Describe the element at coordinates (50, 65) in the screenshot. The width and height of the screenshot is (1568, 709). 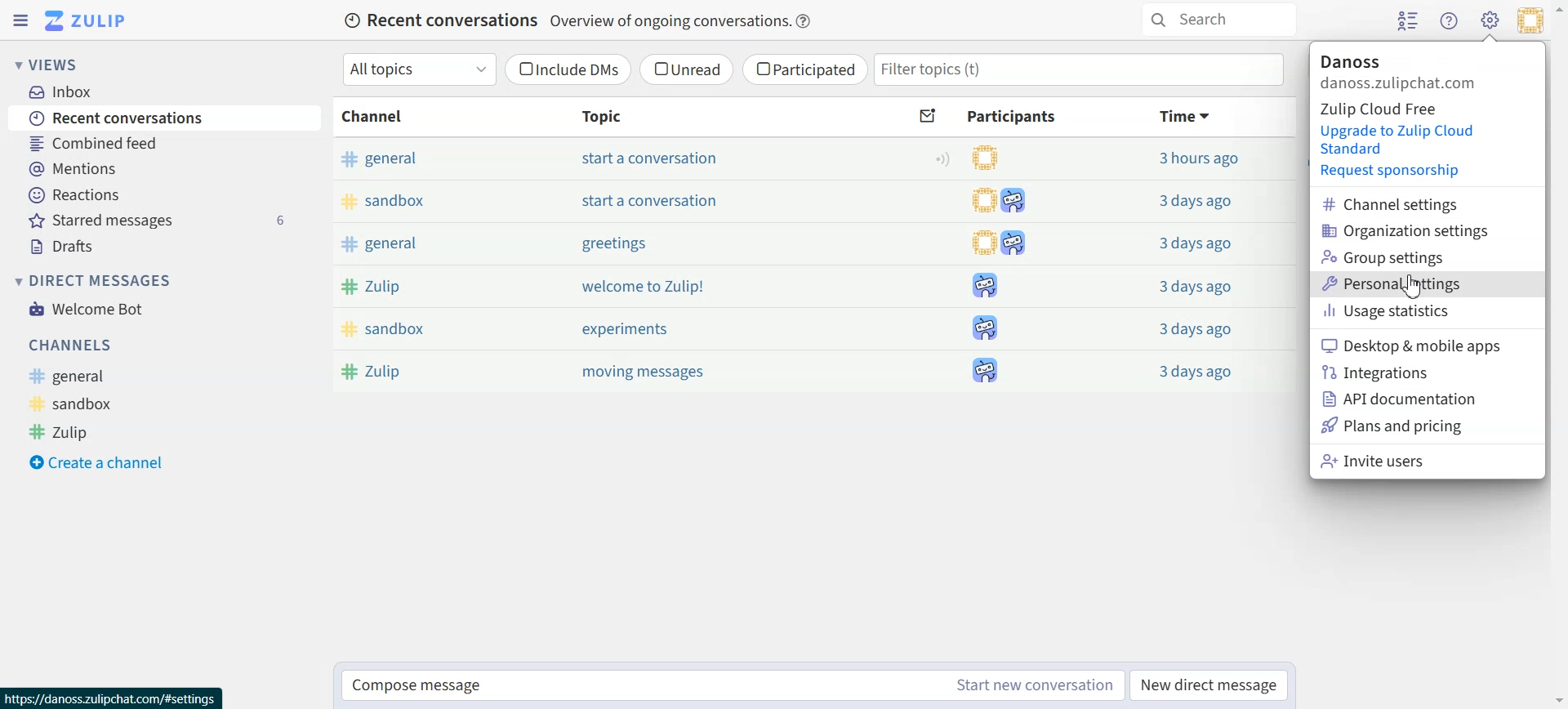
I see `Views` at that location.